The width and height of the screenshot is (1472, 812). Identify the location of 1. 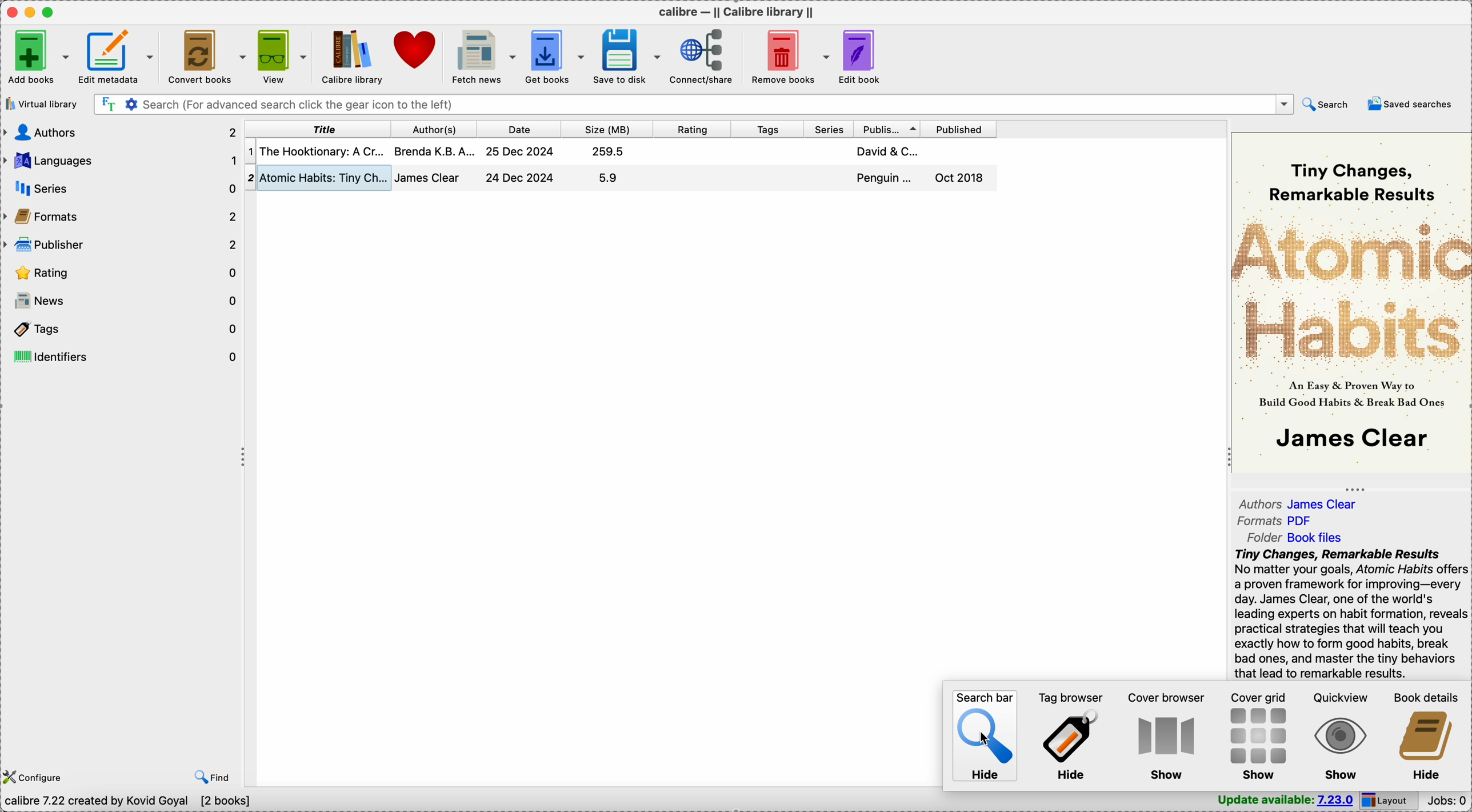
(250, 152).